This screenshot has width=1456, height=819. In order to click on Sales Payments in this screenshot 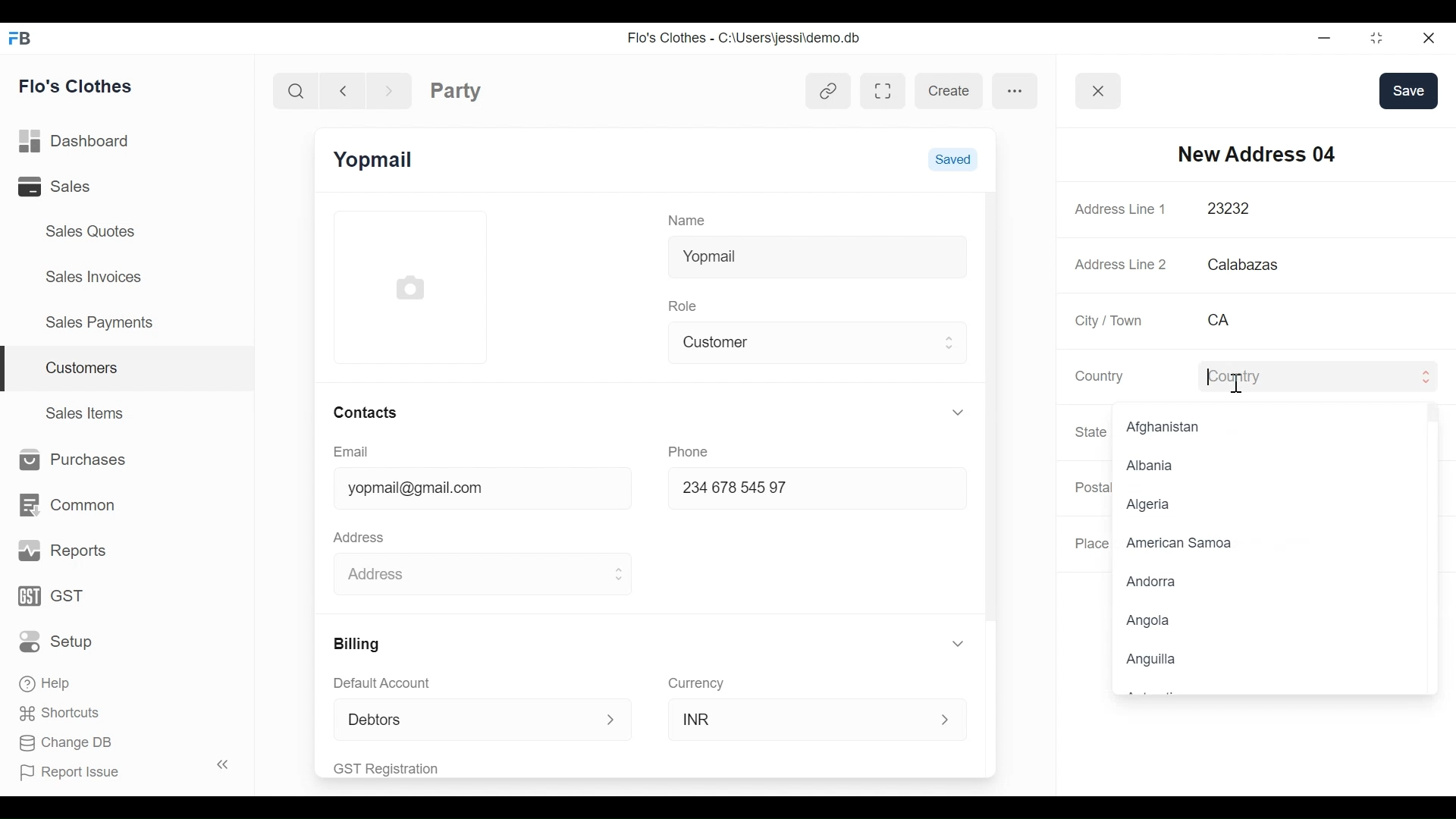, I will do `click(98, 322)`.